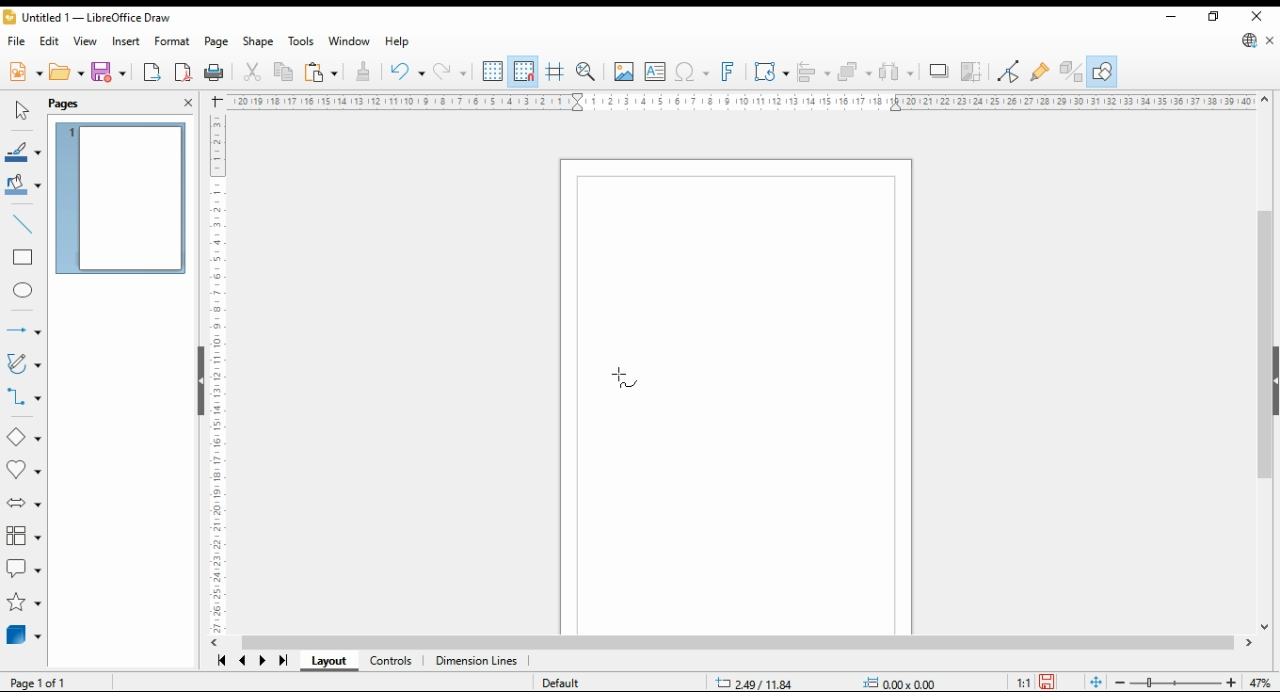 The image size is (1280, 692). What do you see at coordinates (937, 71) in the screenshot?
I see `shadow` at bounding box center [937, 71].